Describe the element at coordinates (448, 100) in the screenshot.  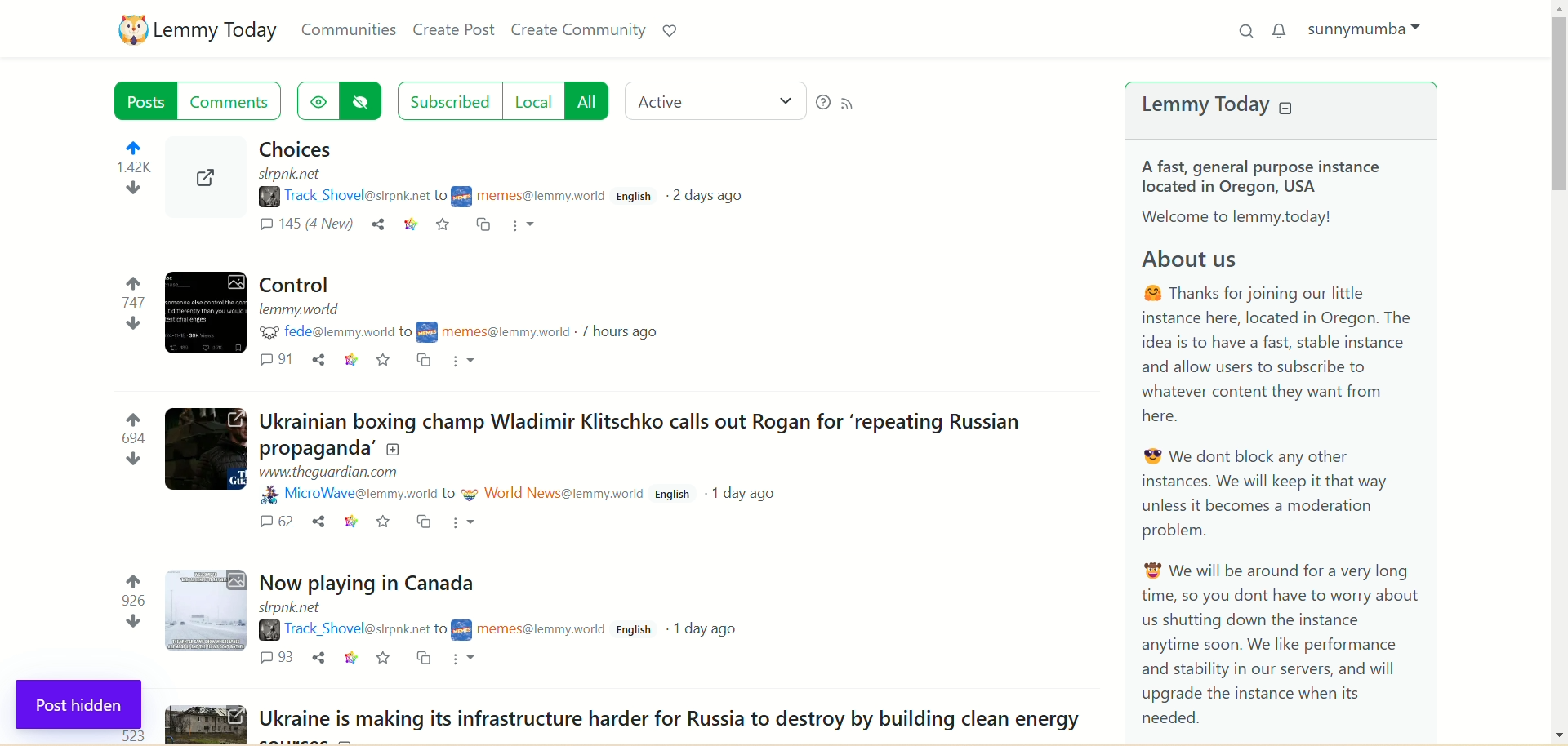
I see `subscribed` at that location.